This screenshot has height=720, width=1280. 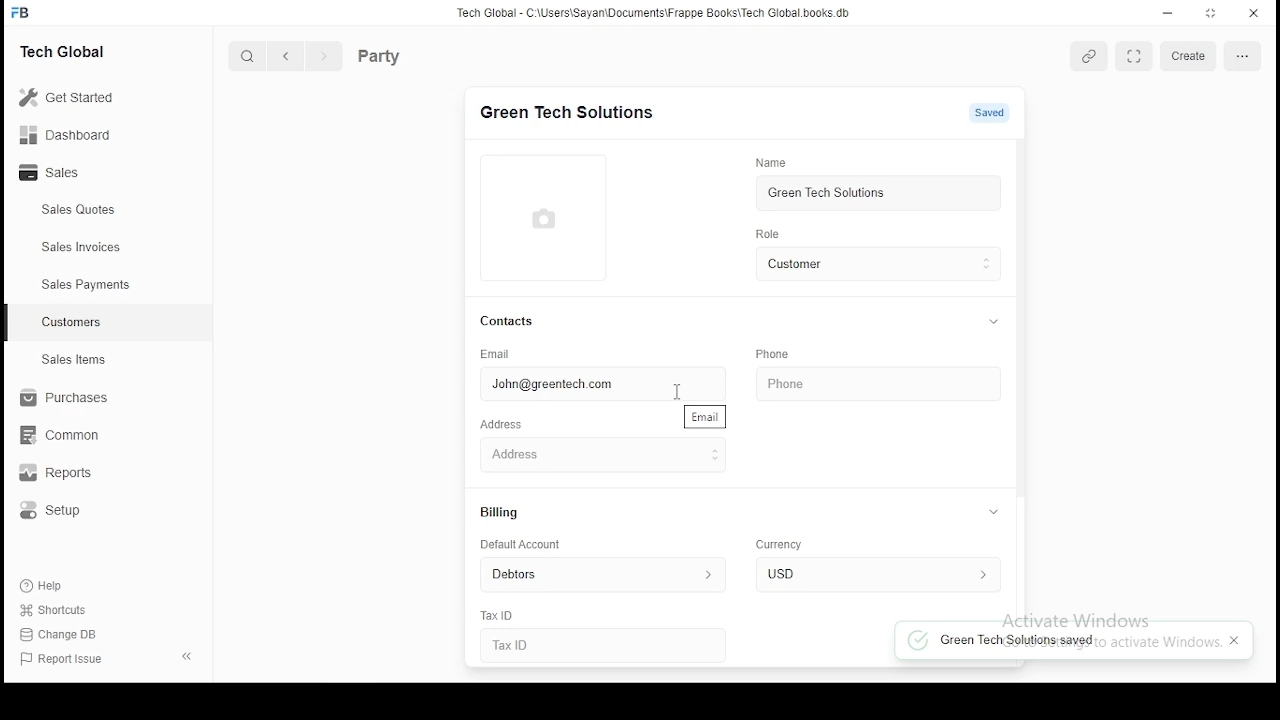 I want to click on close window, so click(x=1251, y=14).